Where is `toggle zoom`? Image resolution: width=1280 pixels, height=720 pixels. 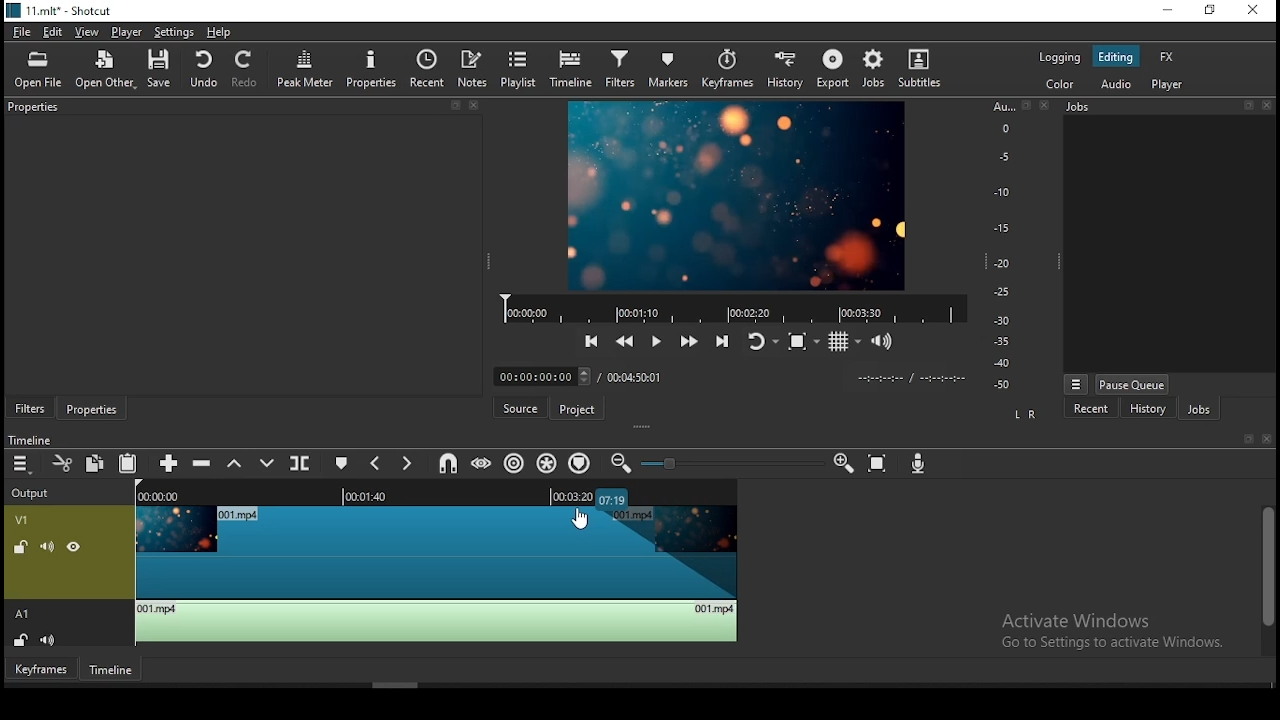
toggle zoom is located at coordinates (799, 343).